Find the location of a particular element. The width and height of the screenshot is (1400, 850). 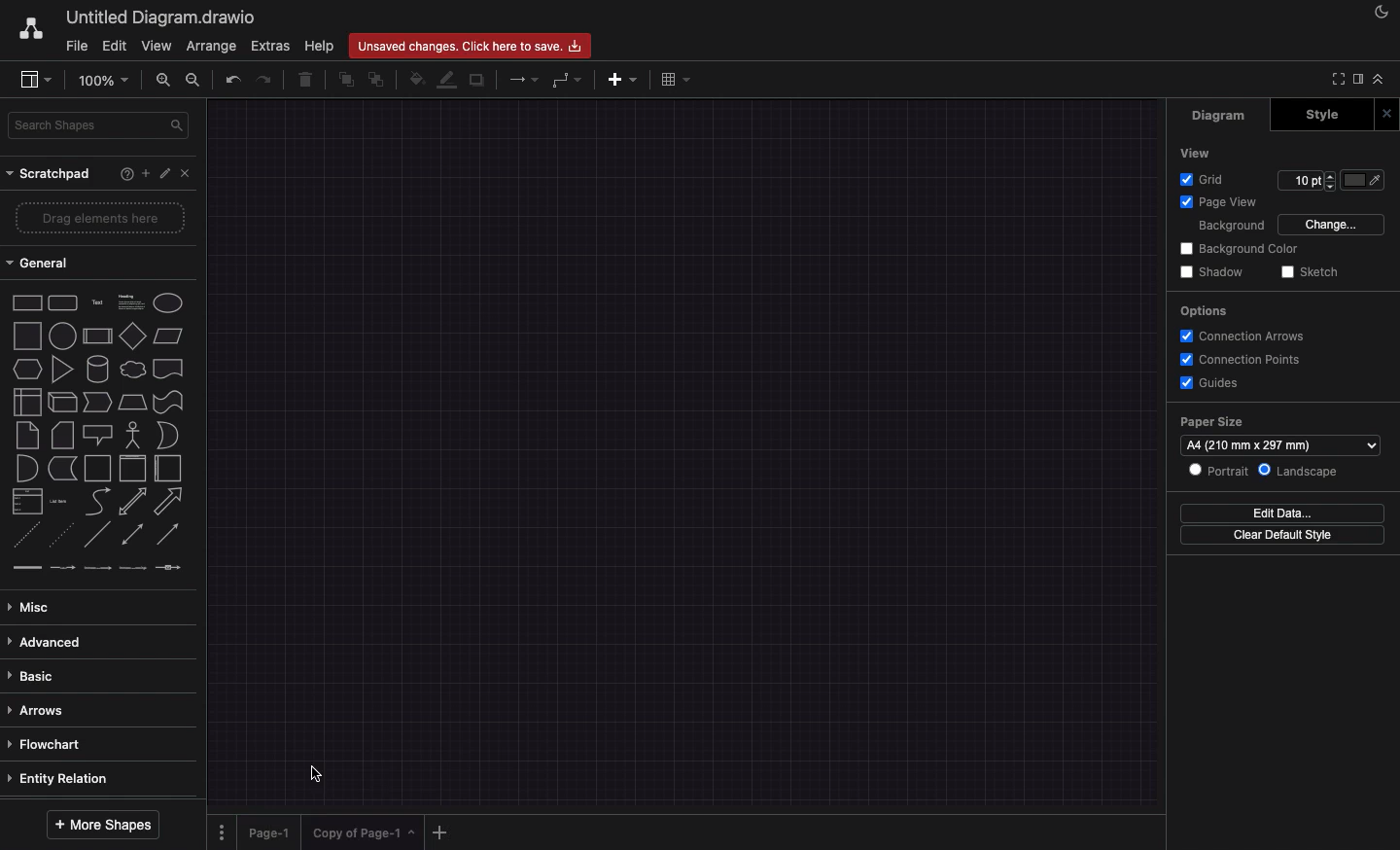

extras is located at coordinates (268, 45).